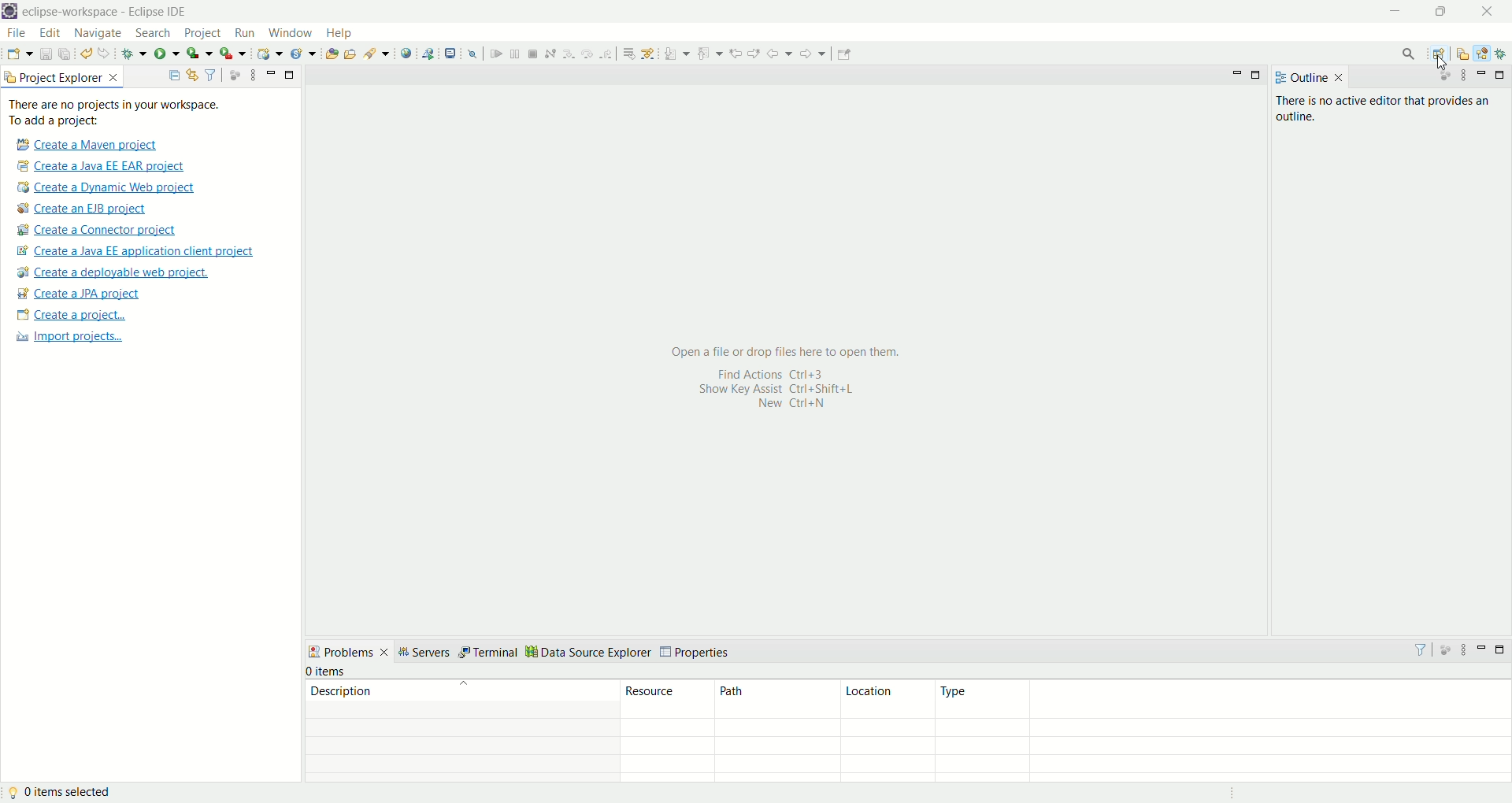 This screenshot has height=803, width=1512. Describe the element at coordinates (350, 53) in the screenshot. I see `open task` at that location.